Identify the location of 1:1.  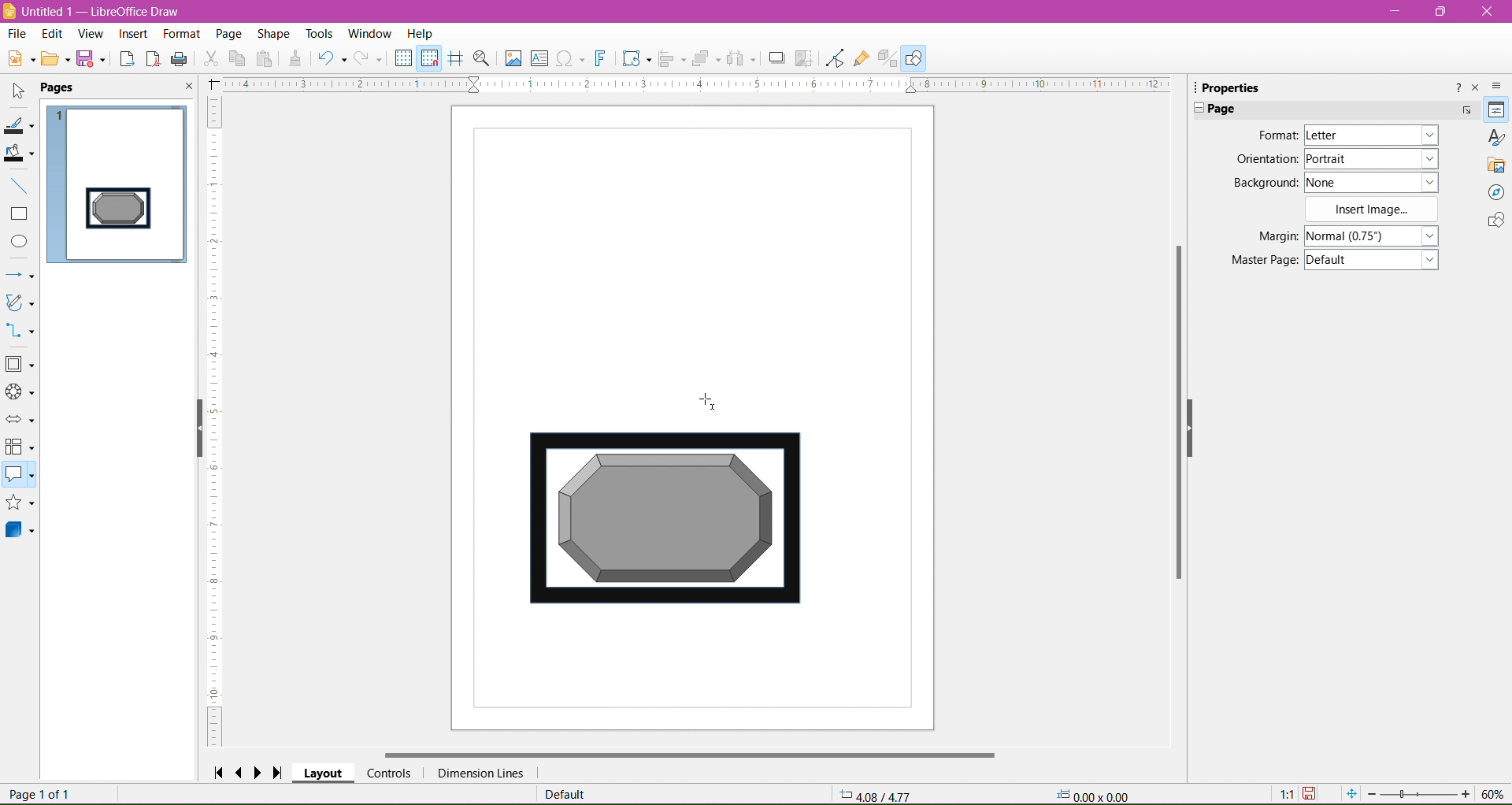
(1284, 794).